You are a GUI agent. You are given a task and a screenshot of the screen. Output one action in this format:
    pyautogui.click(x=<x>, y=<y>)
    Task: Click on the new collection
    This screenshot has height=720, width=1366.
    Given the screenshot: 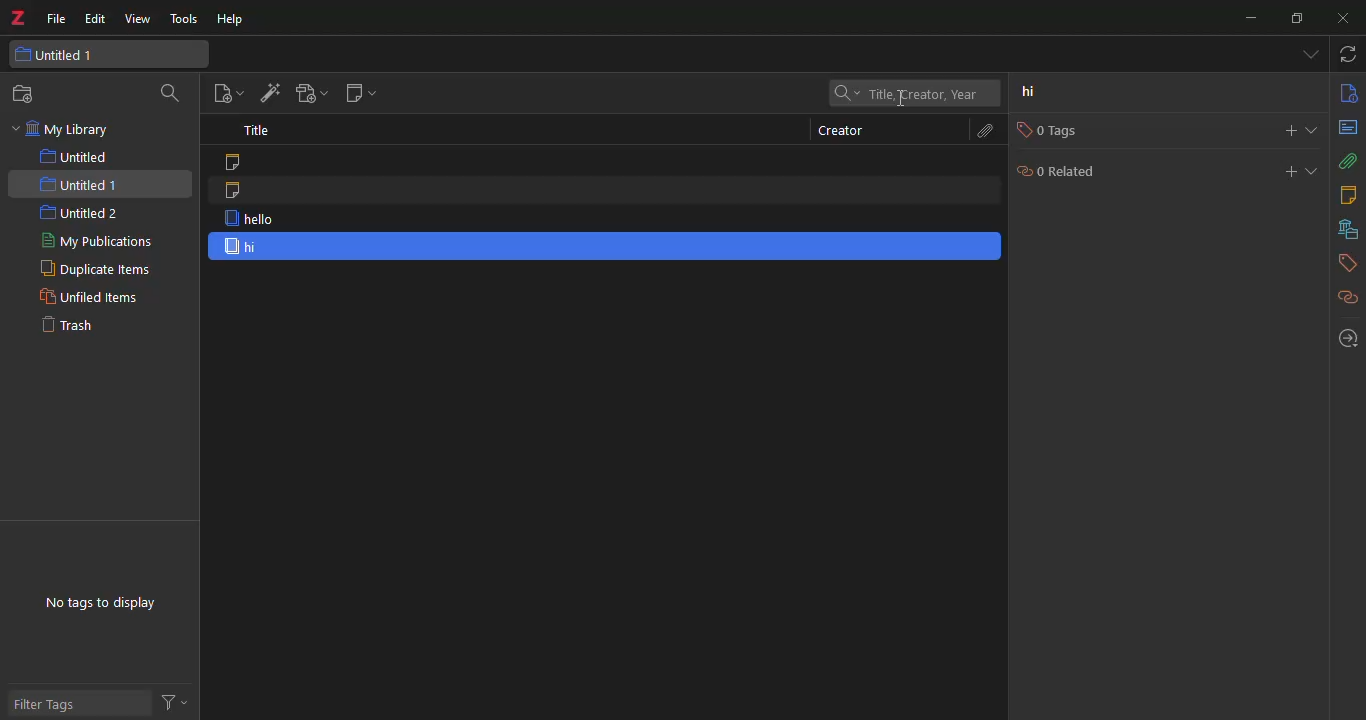 What is the action you would take?
    pyautogui.click(x=28, y=94)
    